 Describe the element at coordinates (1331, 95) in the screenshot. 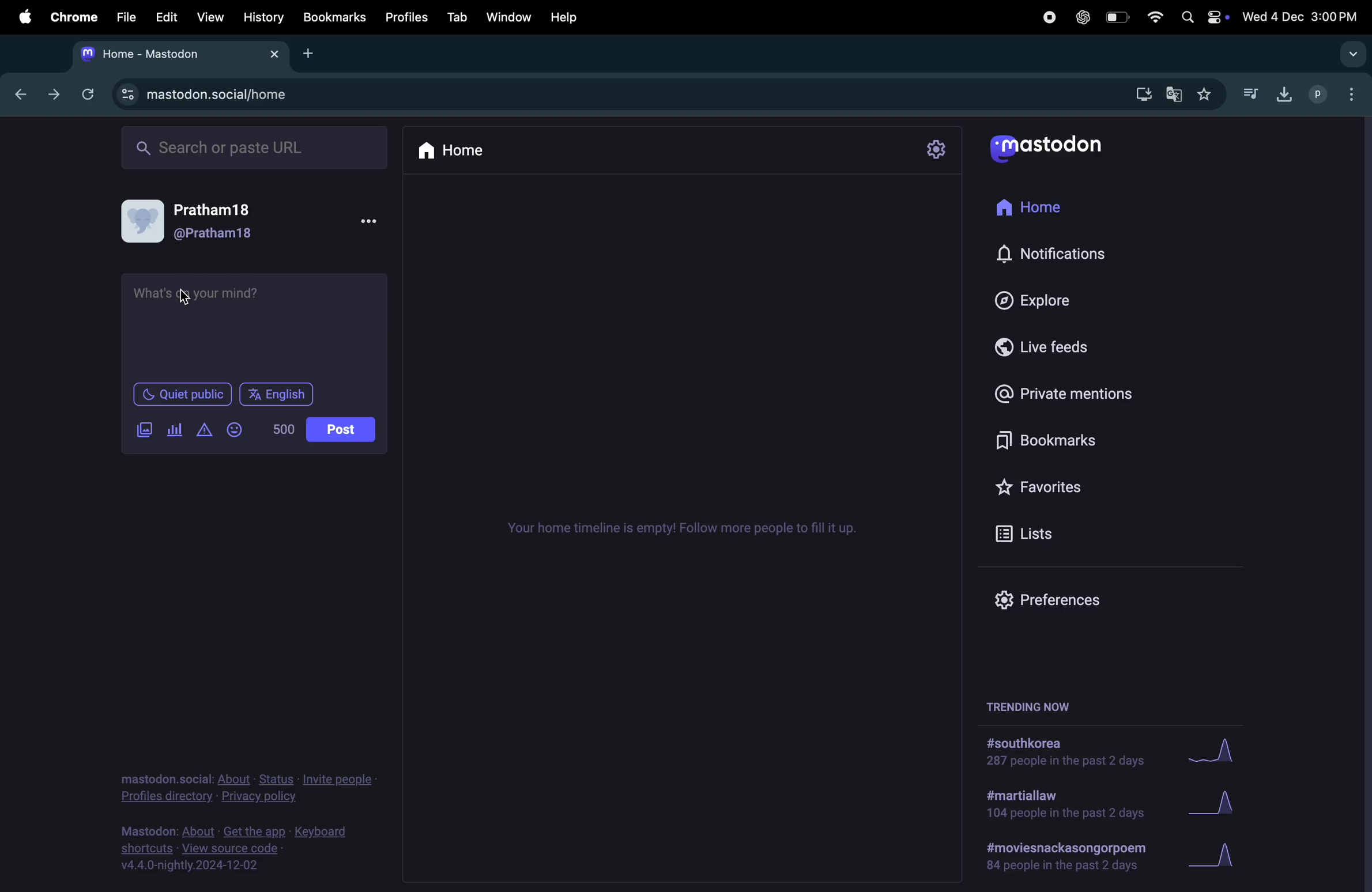

I see `profiles` at that location.